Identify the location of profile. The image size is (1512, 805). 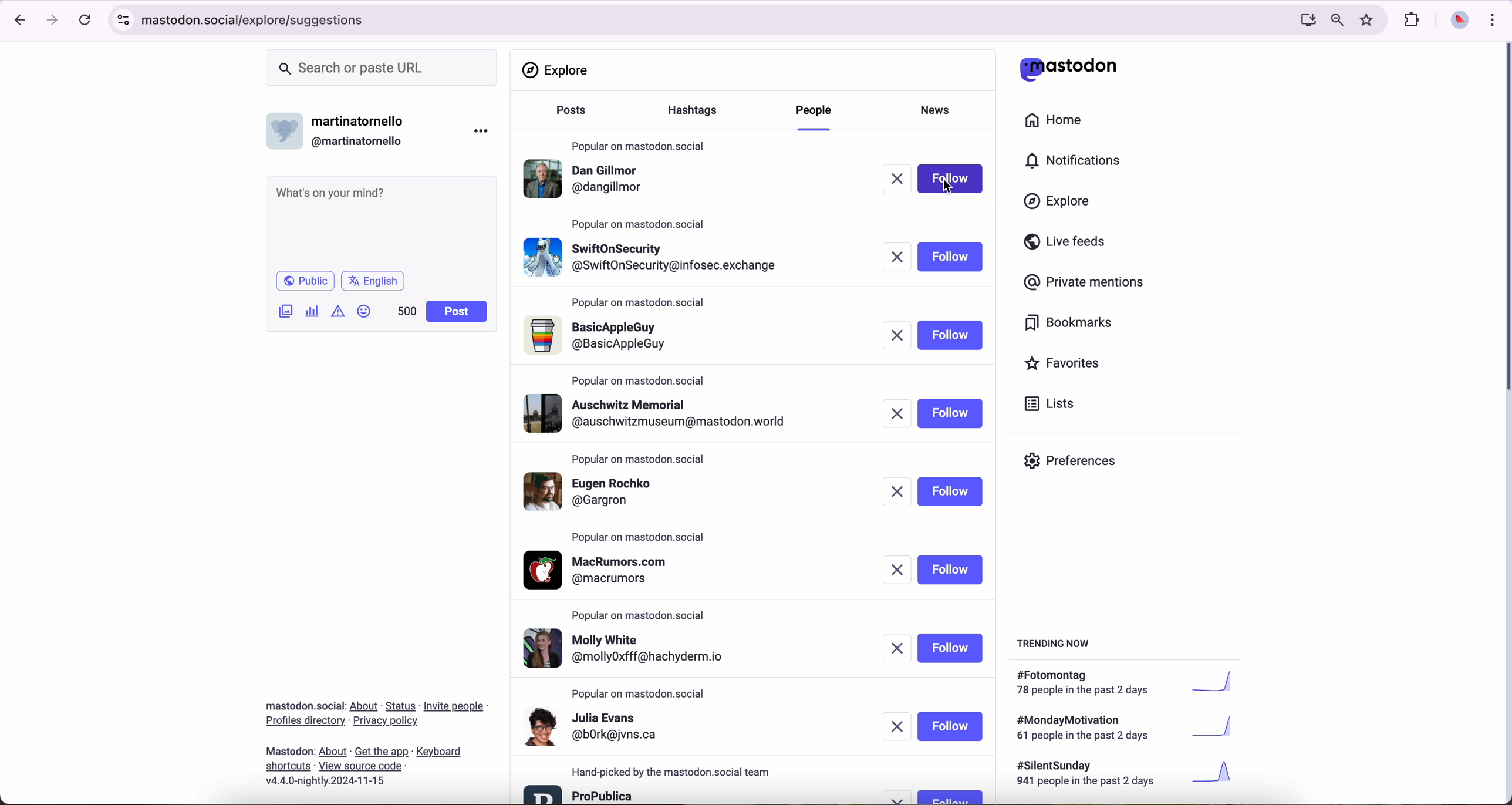
(654, 254).